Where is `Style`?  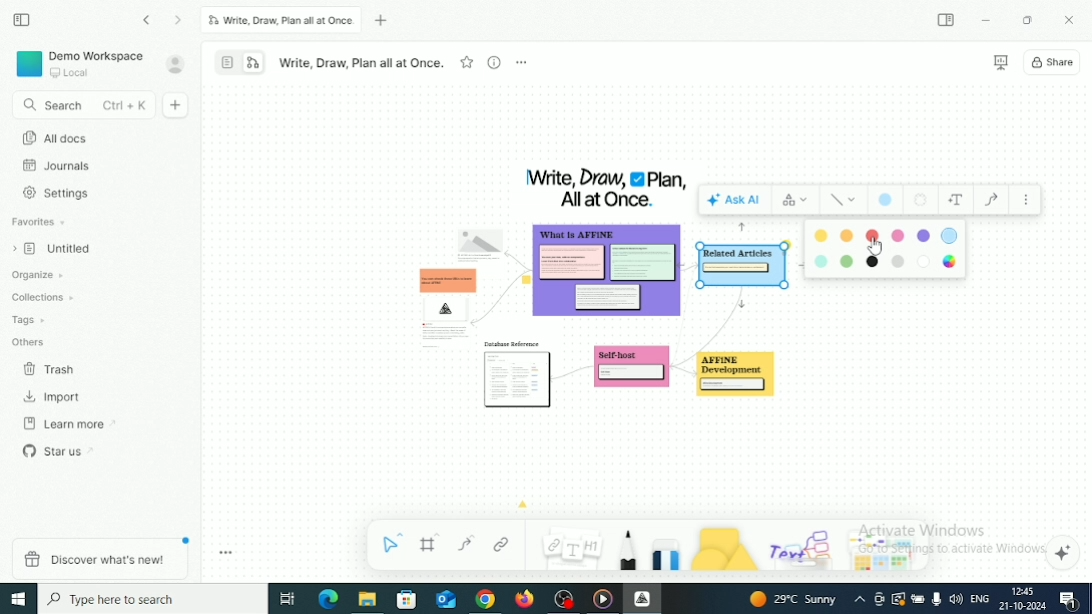 Style is located at coordinates (844, 200).